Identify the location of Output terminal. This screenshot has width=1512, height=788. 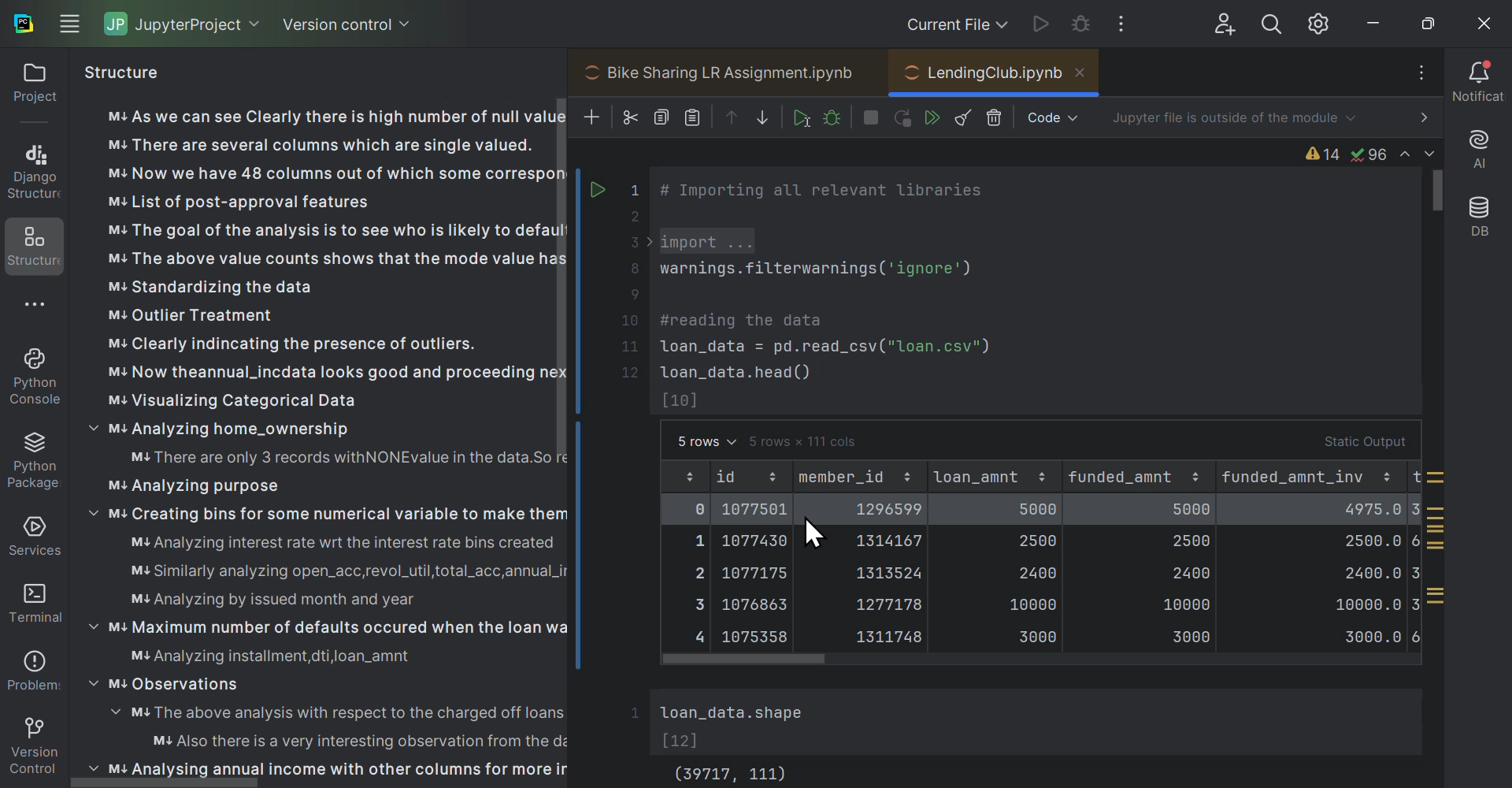
(1028, 736).